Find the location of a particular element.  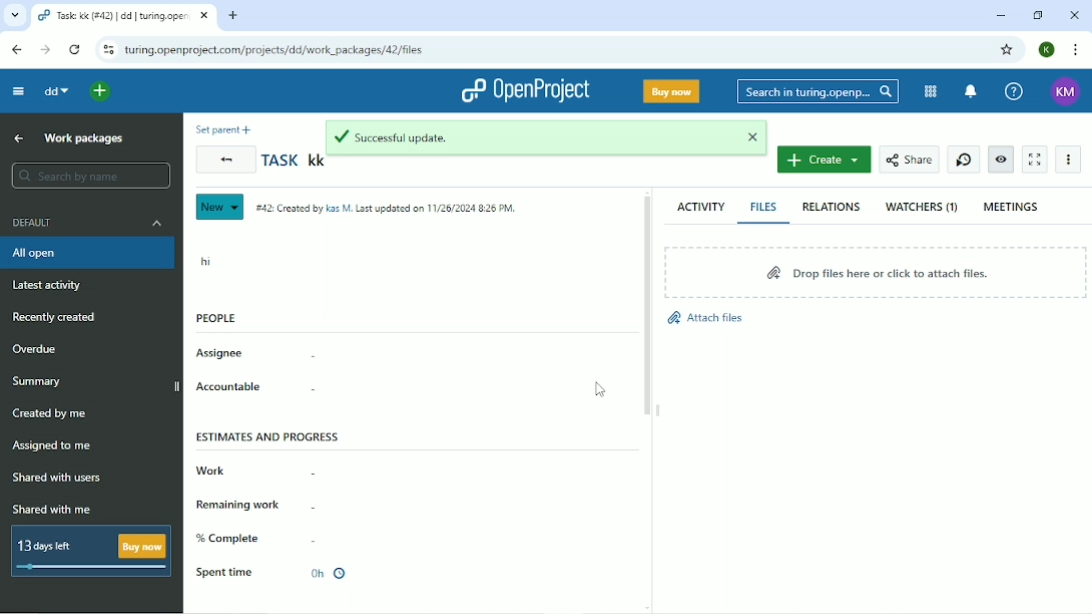

Accountable is located at coordinates (257, 389).